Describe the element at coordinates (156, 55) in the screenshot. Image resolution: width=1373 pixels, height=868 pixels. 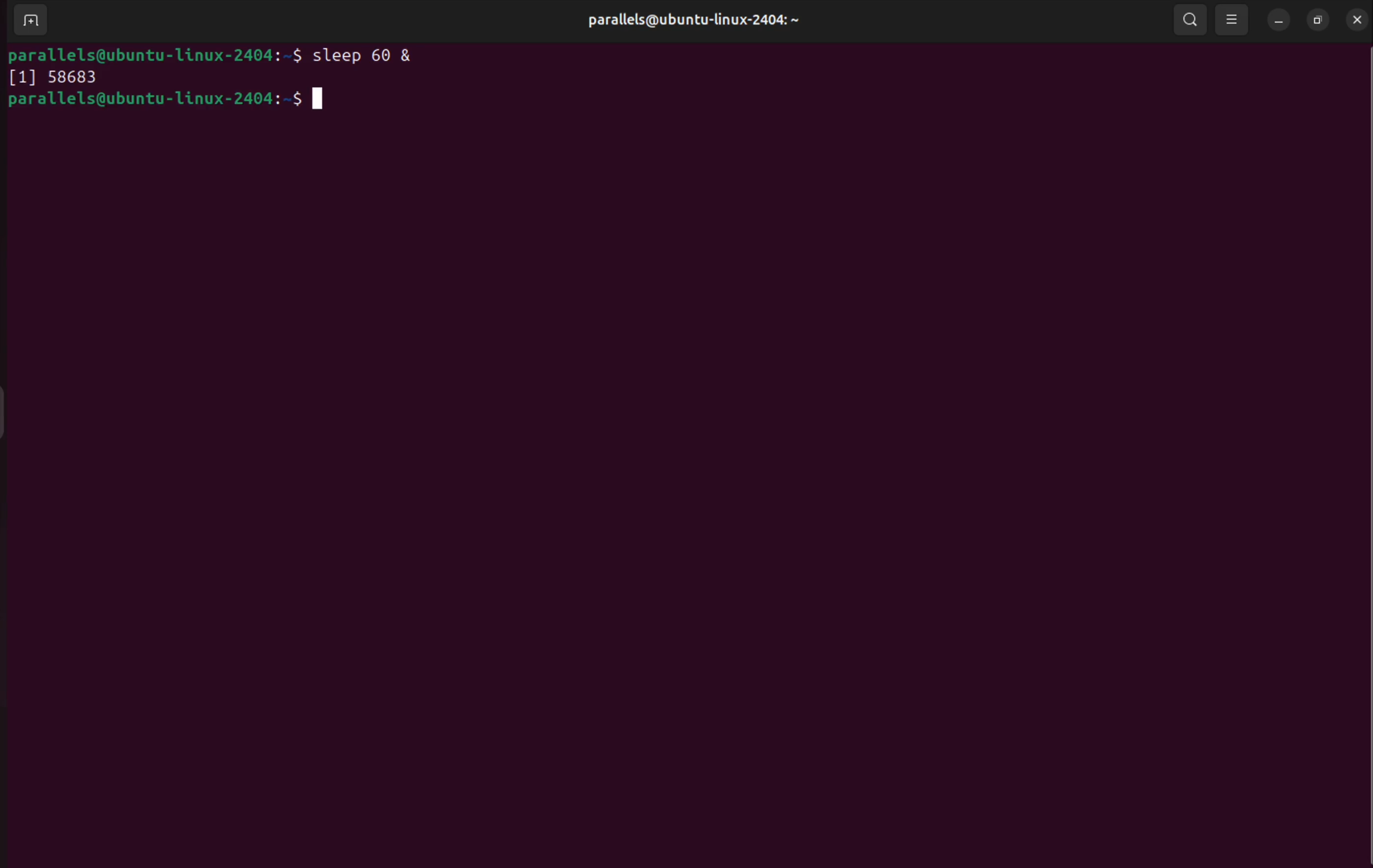
I see `parallels@ubuntu-linux-2404: ~$` at that location.